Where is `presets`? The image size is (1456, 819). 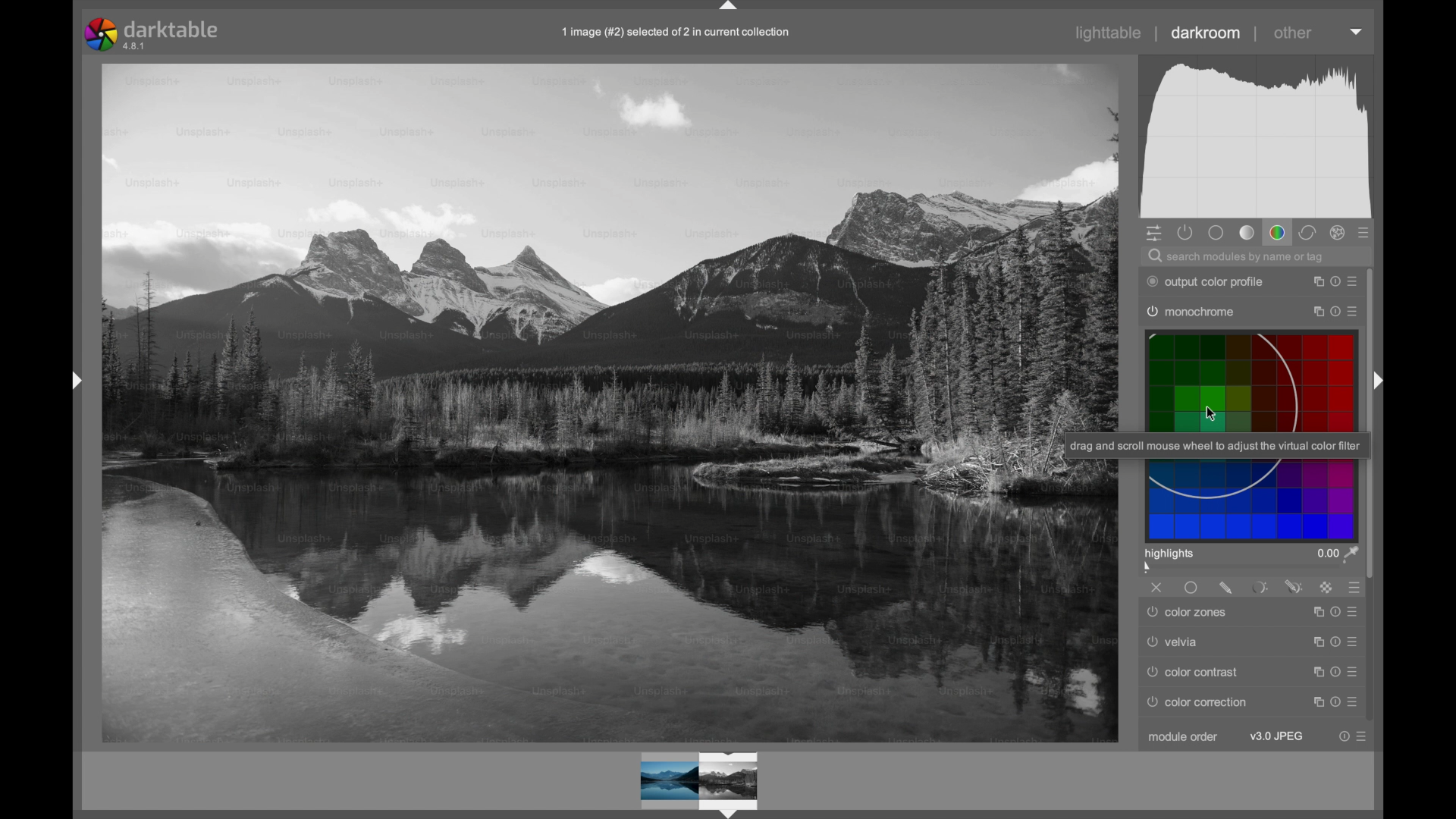 presets is located at coordinates (1364, 736).